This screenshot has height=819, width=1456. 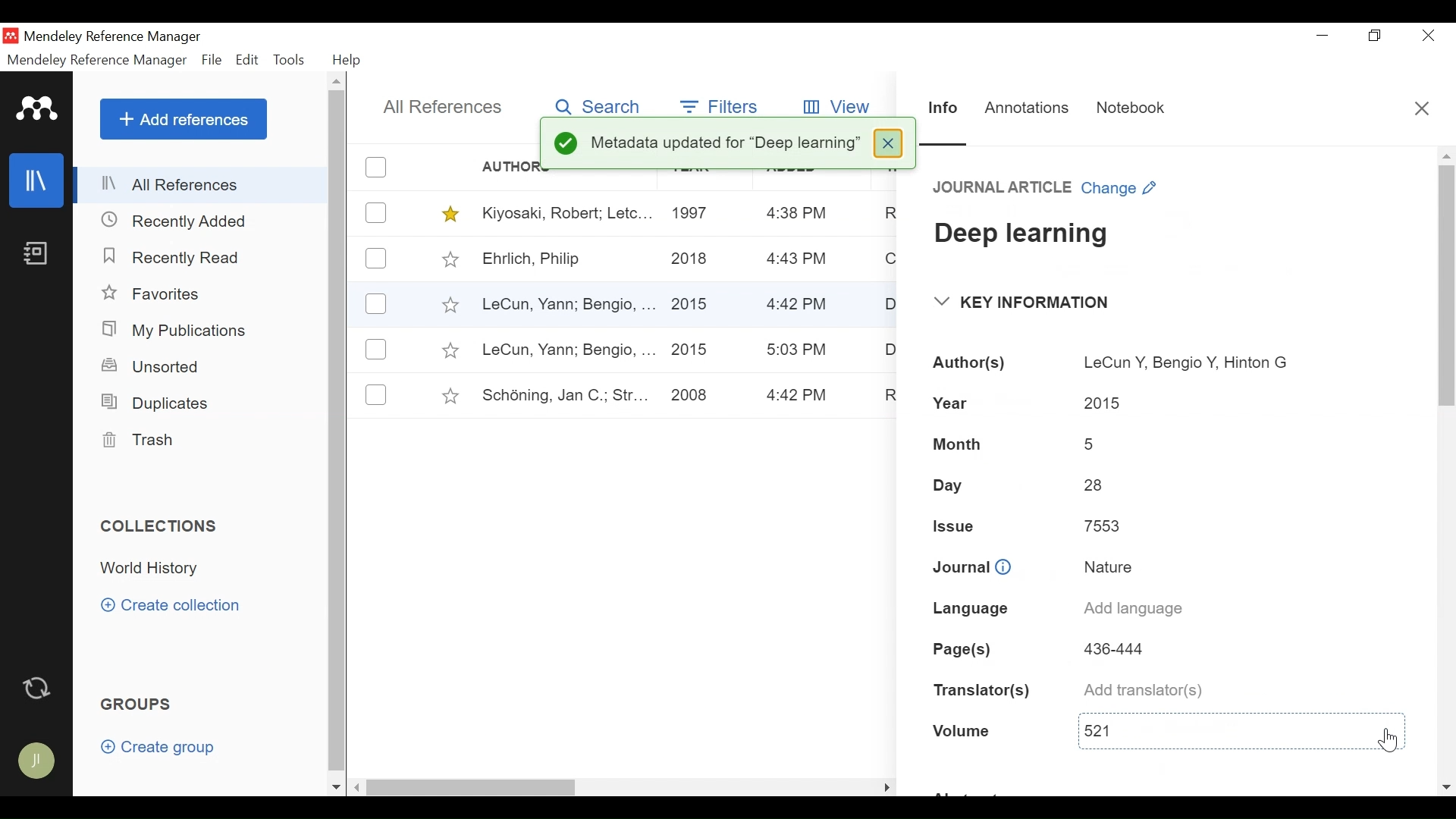 I want to click on Year, so click(x=950, y=403).